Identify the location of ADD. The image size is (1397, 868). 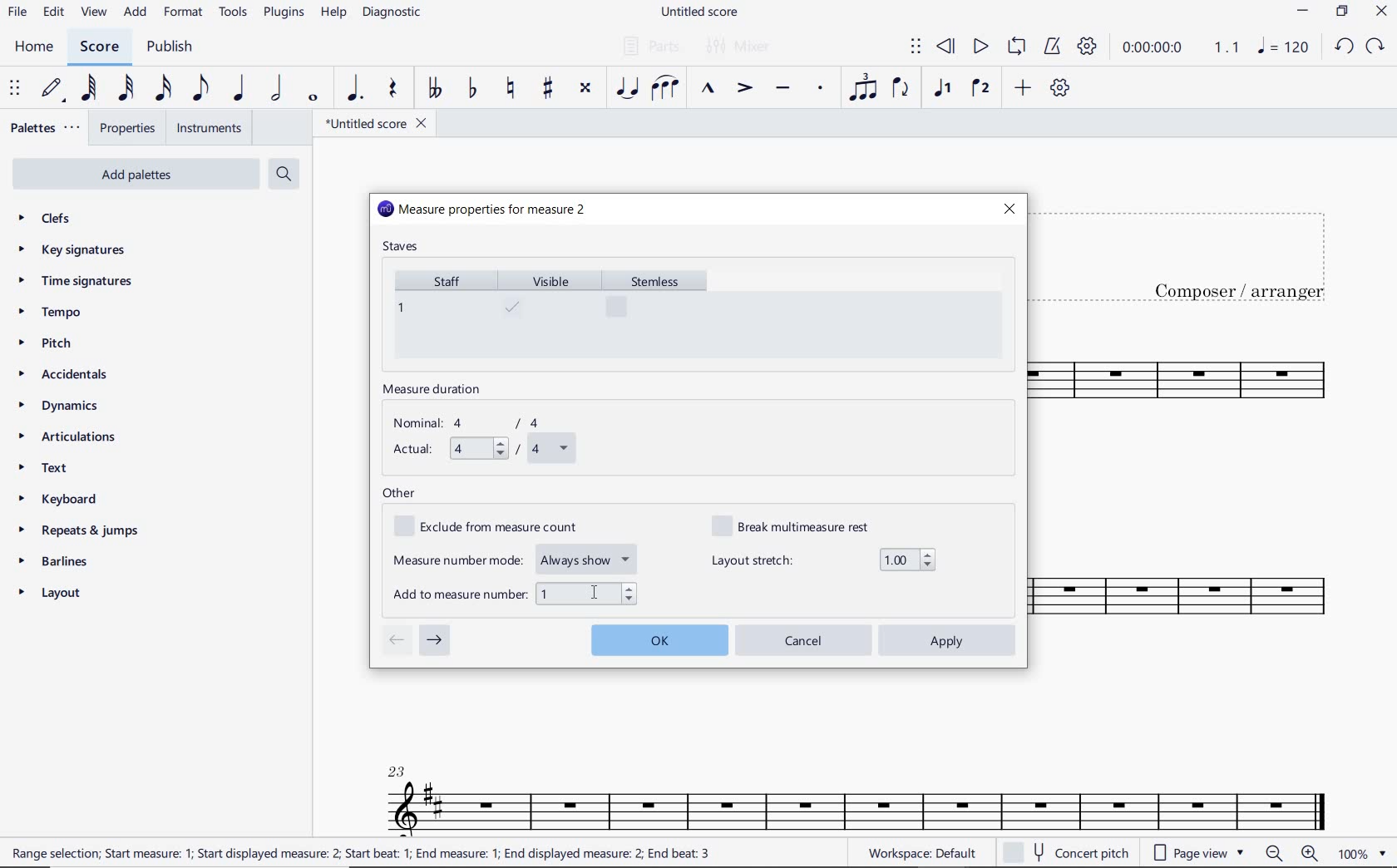
(136, 13).